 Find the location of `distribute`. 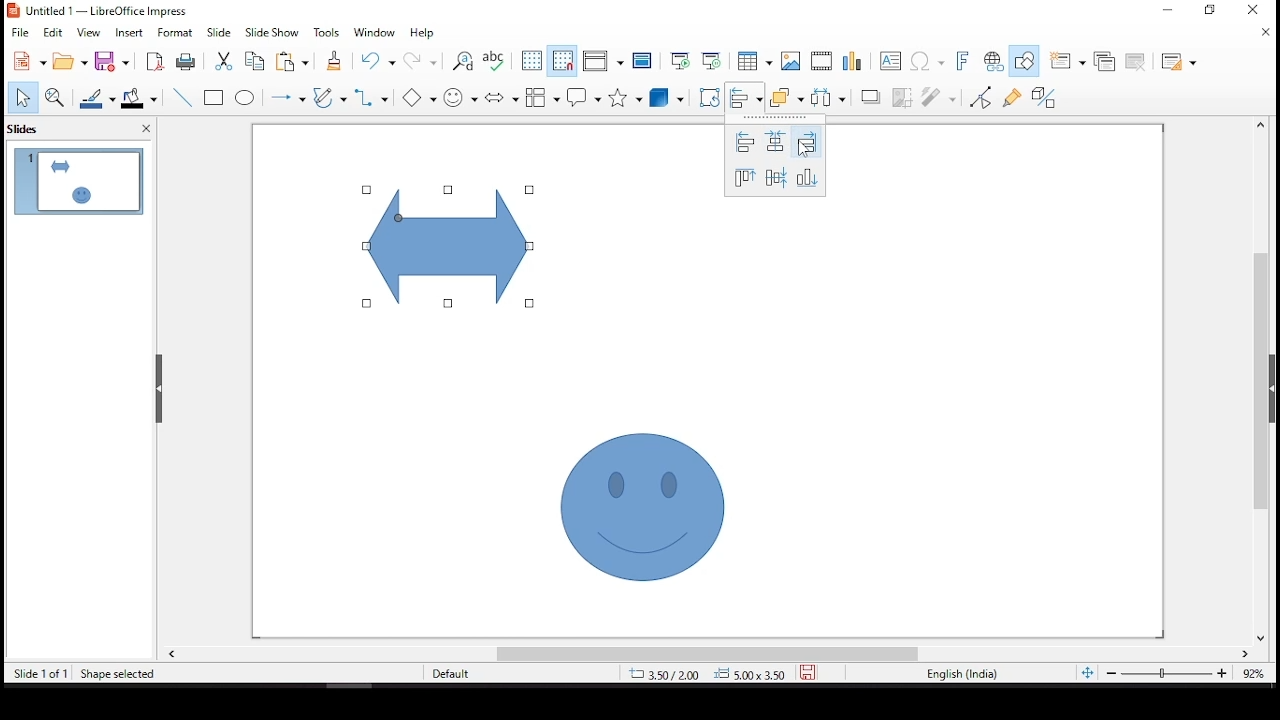

distribute is located at coordinates (827, 99).